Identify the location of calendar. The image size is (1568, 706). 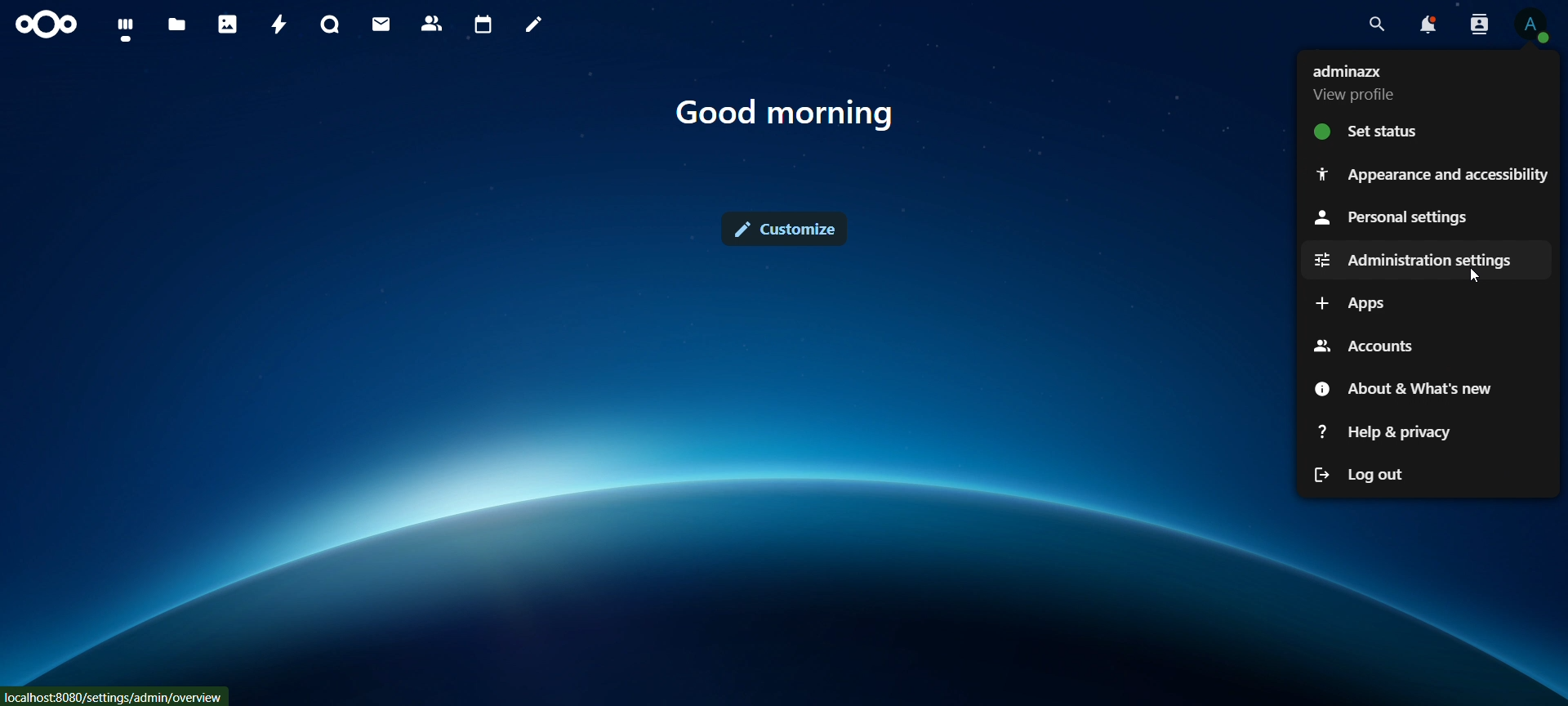
(484, 25).